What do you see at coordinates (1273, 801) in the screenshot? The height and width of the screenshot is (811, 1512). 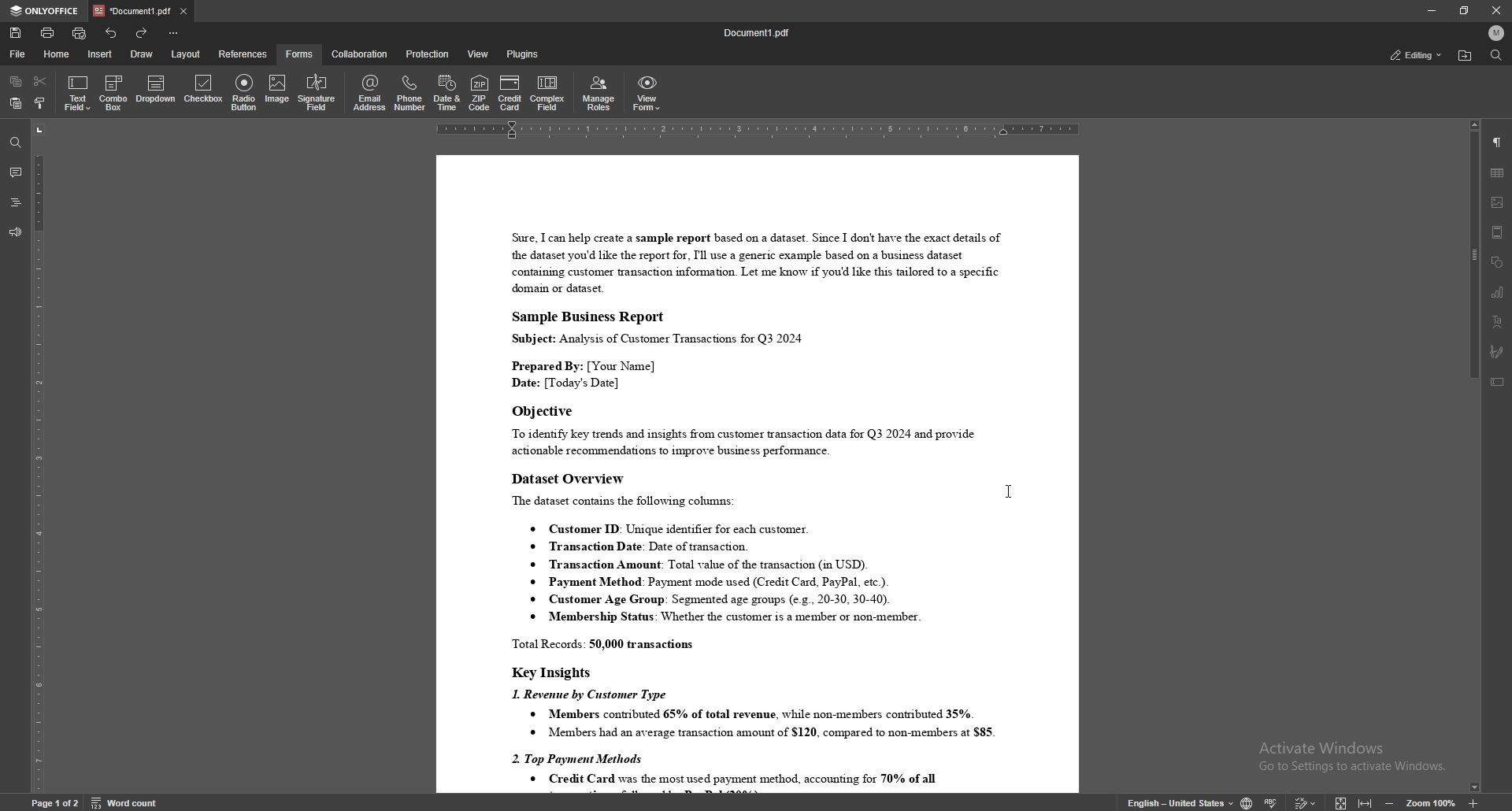 I see `spell check` at bounding box center [1273, 801].